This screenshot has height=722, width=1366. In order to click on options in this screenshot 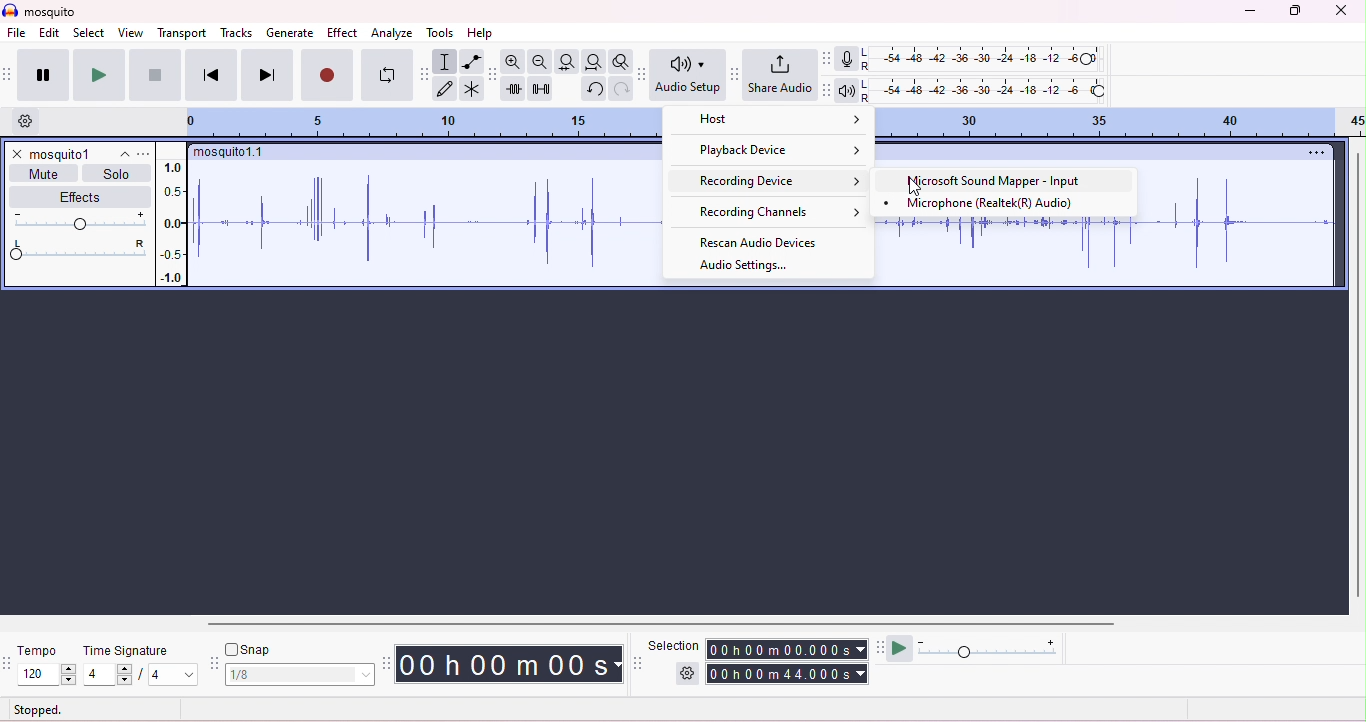, I will do `click(1312, 152)`.